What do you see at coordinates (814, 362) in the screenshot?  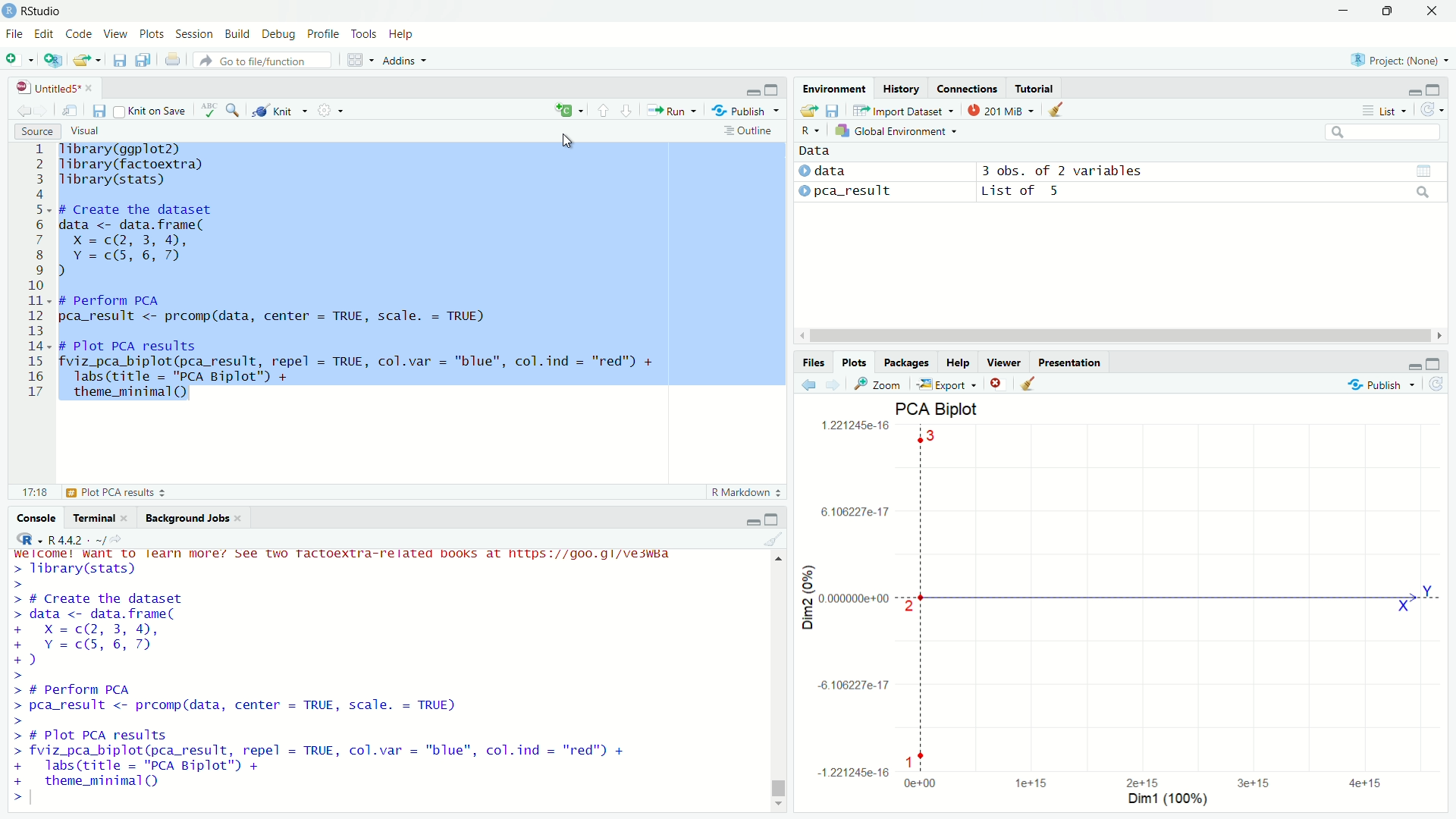 I see `Files` at bounding box center [814, 362].